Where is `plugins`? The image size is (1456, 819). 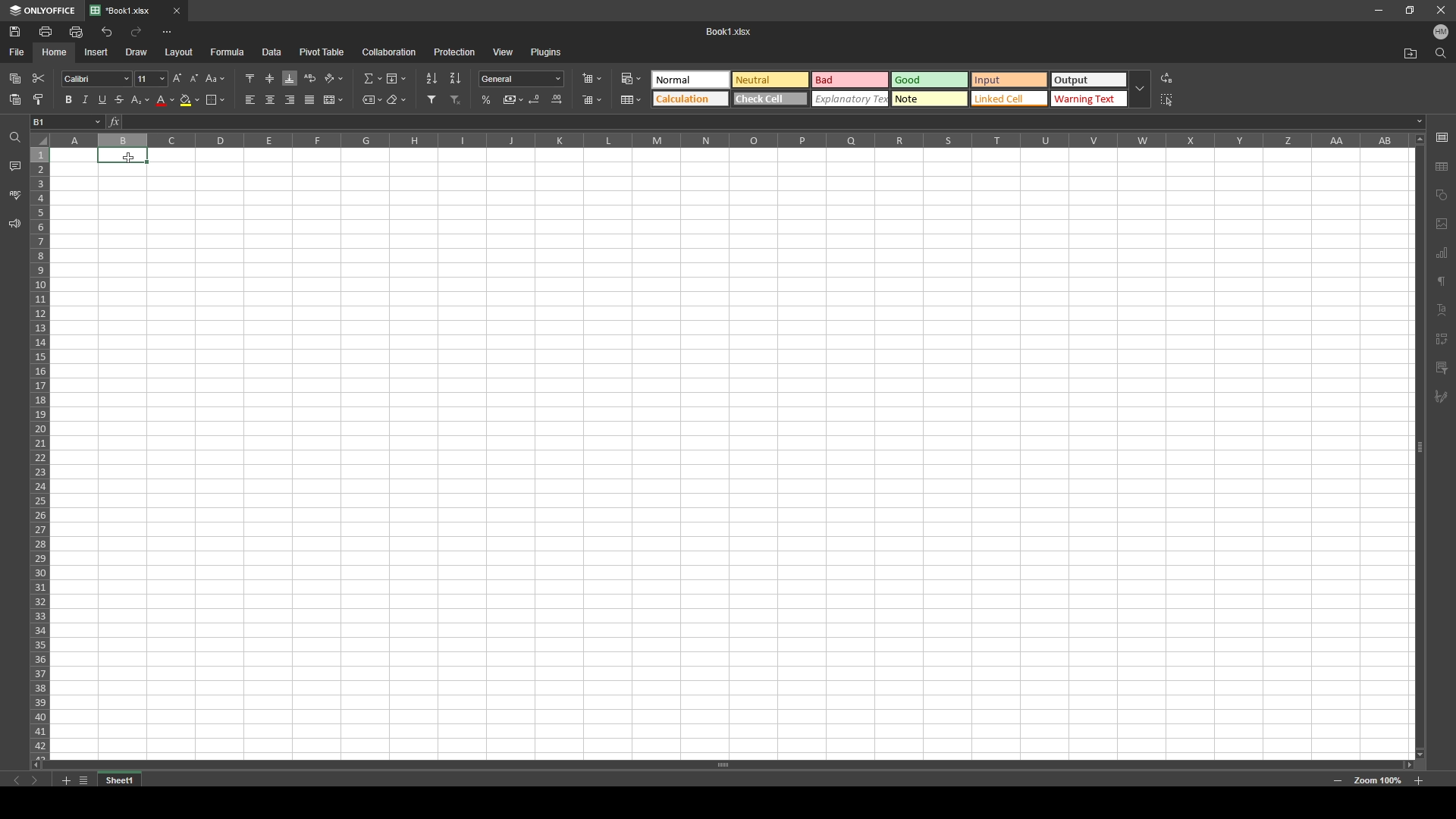 plugins is located at coordinates (545, 52).